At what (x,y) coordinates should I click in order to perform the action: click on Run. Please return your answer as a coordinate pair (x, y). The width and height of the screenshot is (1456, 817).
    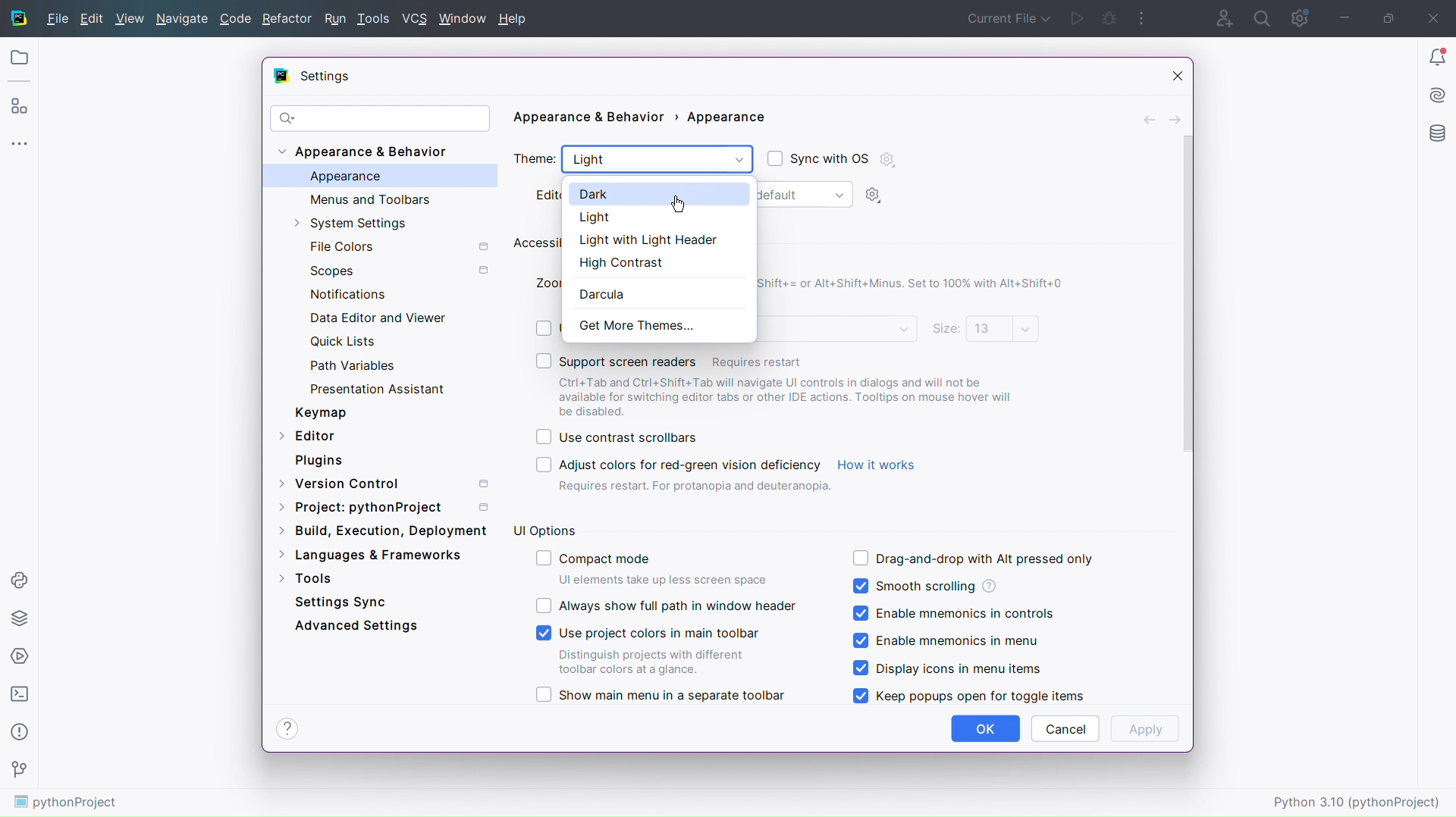
    Looking at the image, I should click on (334, 19).